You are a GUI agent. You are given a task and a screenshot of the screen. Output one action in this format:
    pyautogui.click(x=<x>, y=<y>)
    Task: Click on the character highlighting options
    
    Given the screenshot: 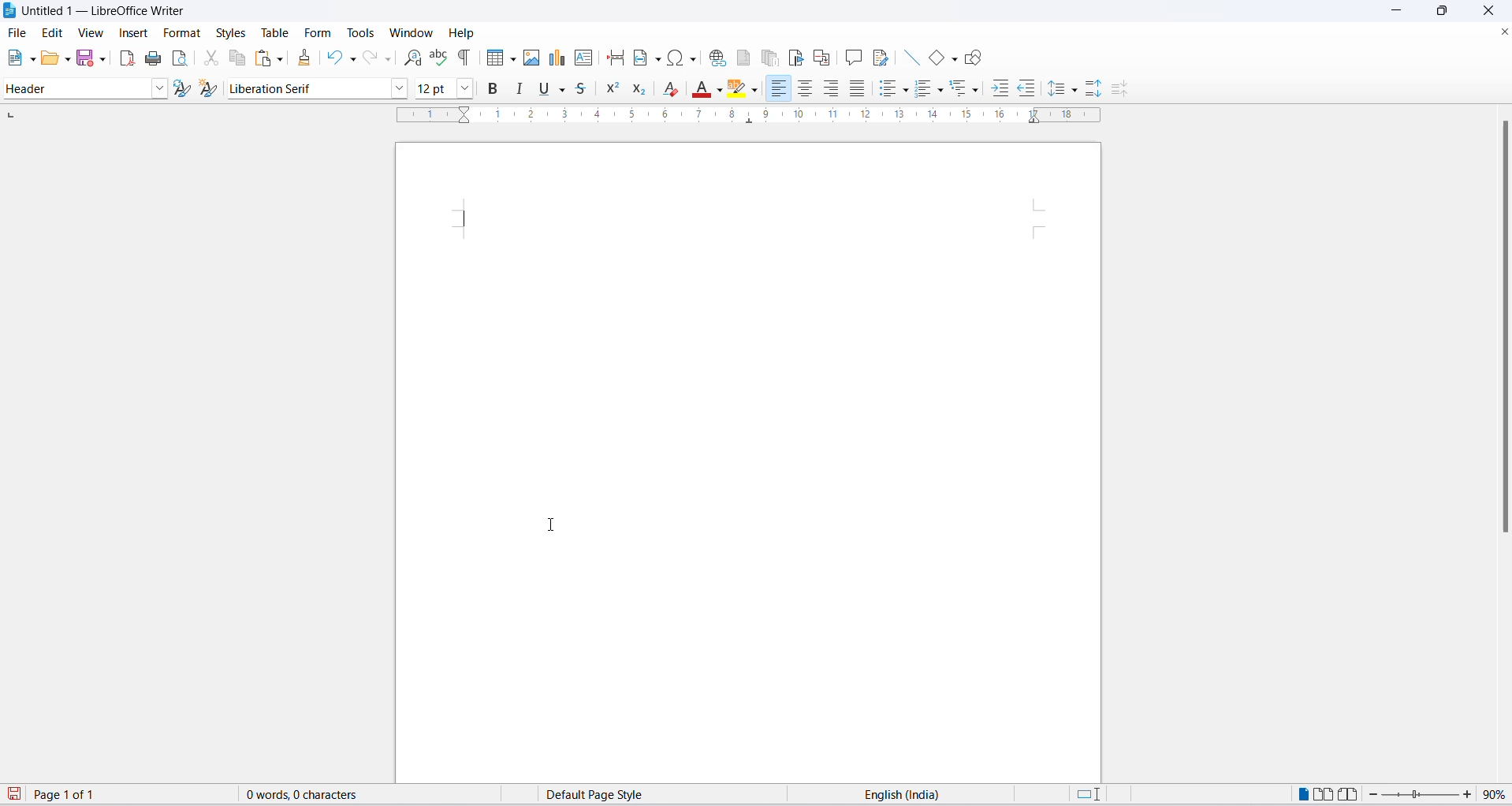 What is the action you would take?
    pyautogui.click(x=758, y=89)
    